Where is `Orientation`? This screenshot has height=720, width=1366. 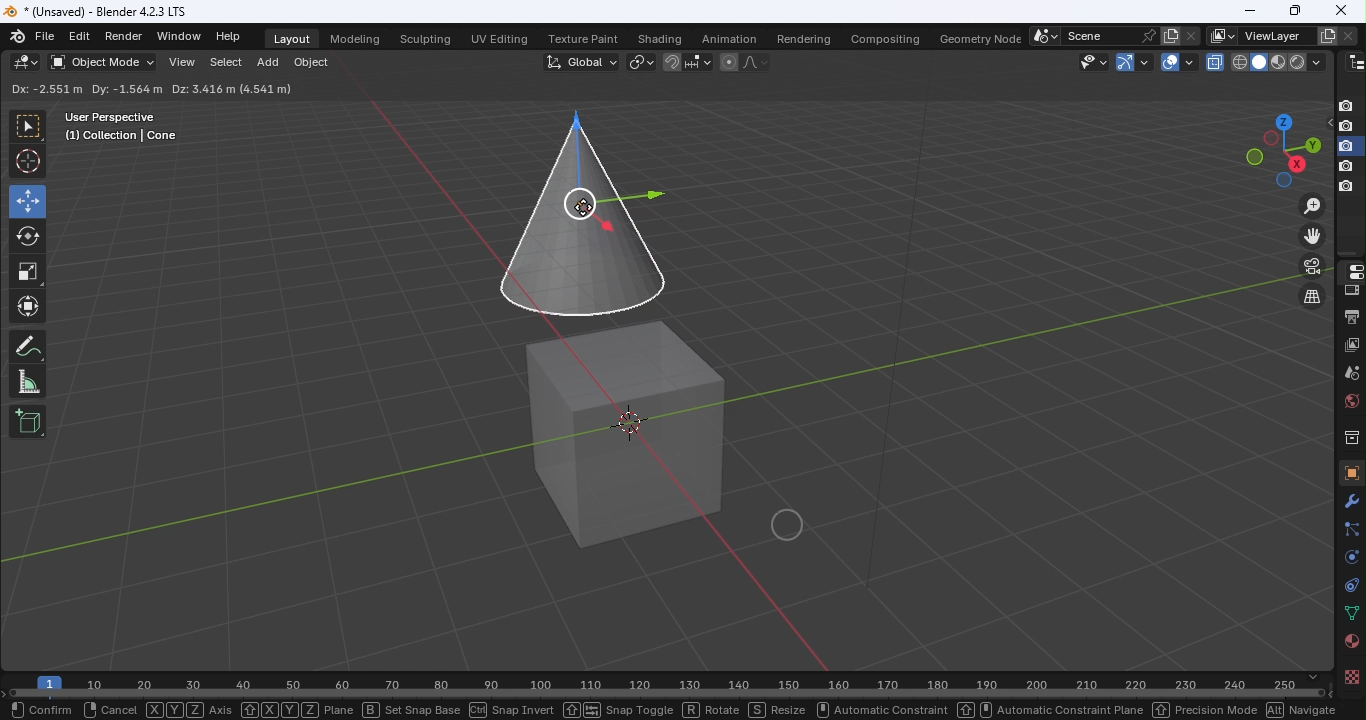
Orientation is located at coordinates (36, 89).